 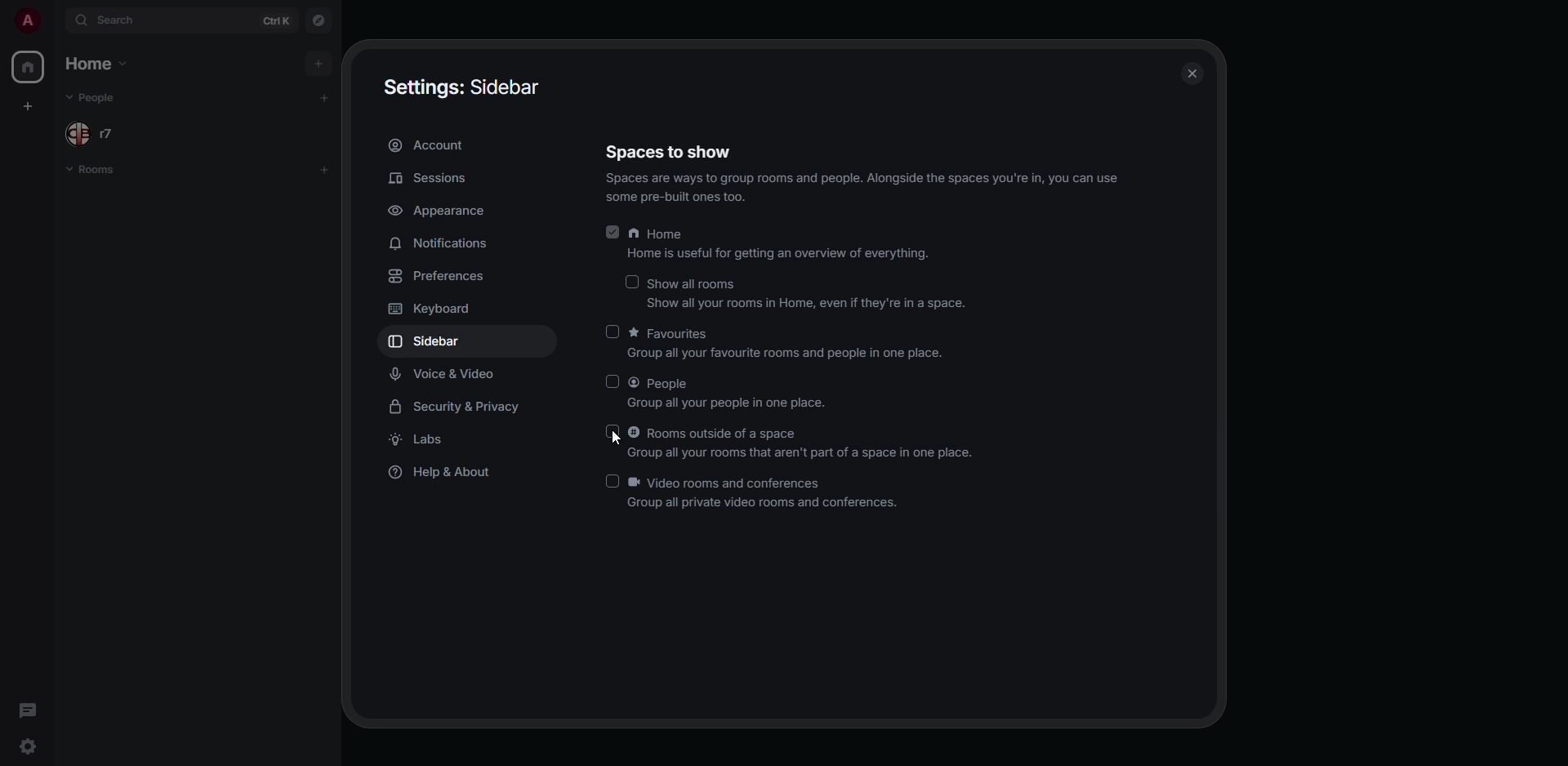 What do you see at coordinates (667, 152) in the screenshot?
I see `Spaces to show` at bounding box center [667, 152].